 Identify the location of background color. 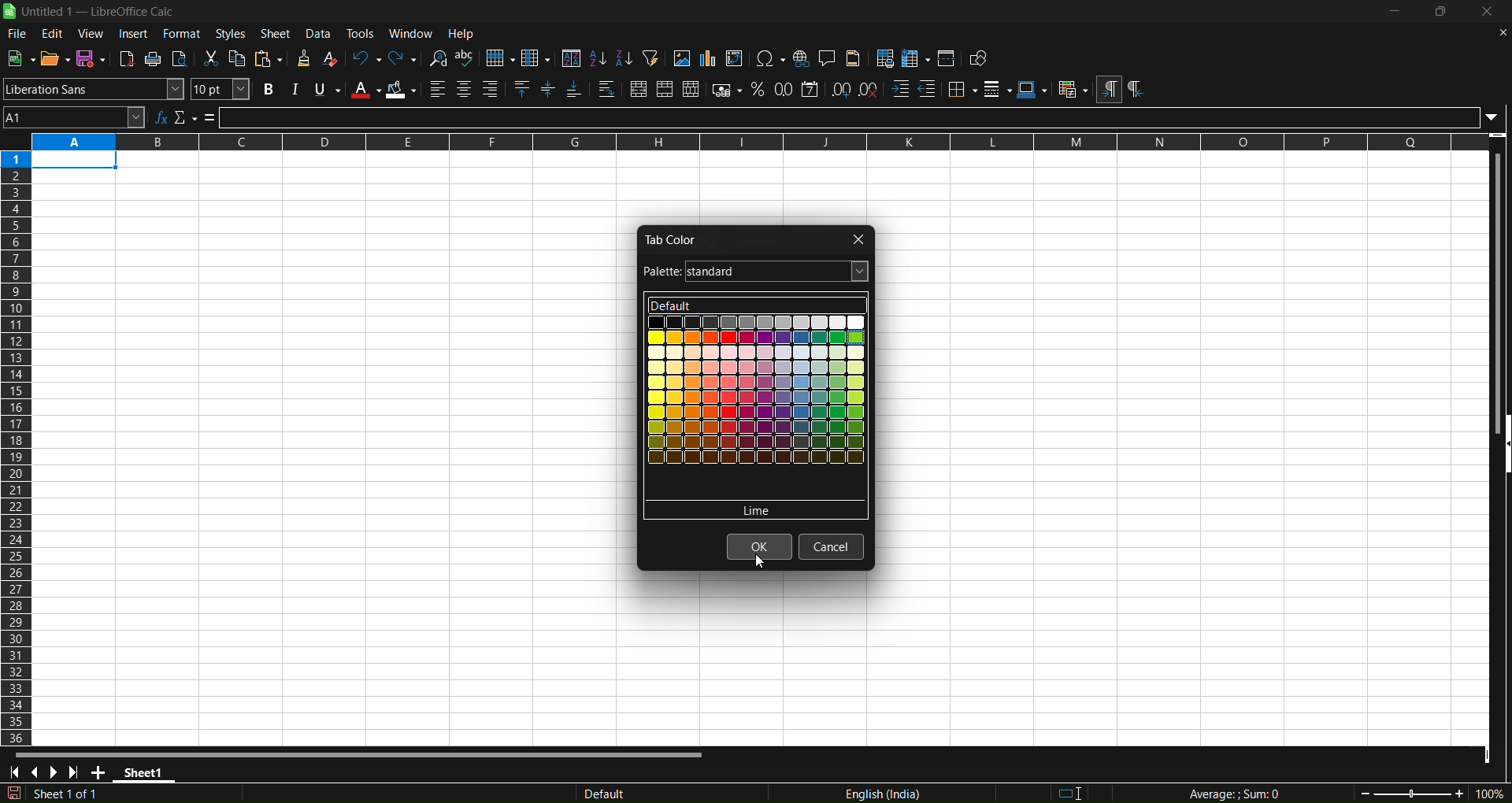
(402, 90).